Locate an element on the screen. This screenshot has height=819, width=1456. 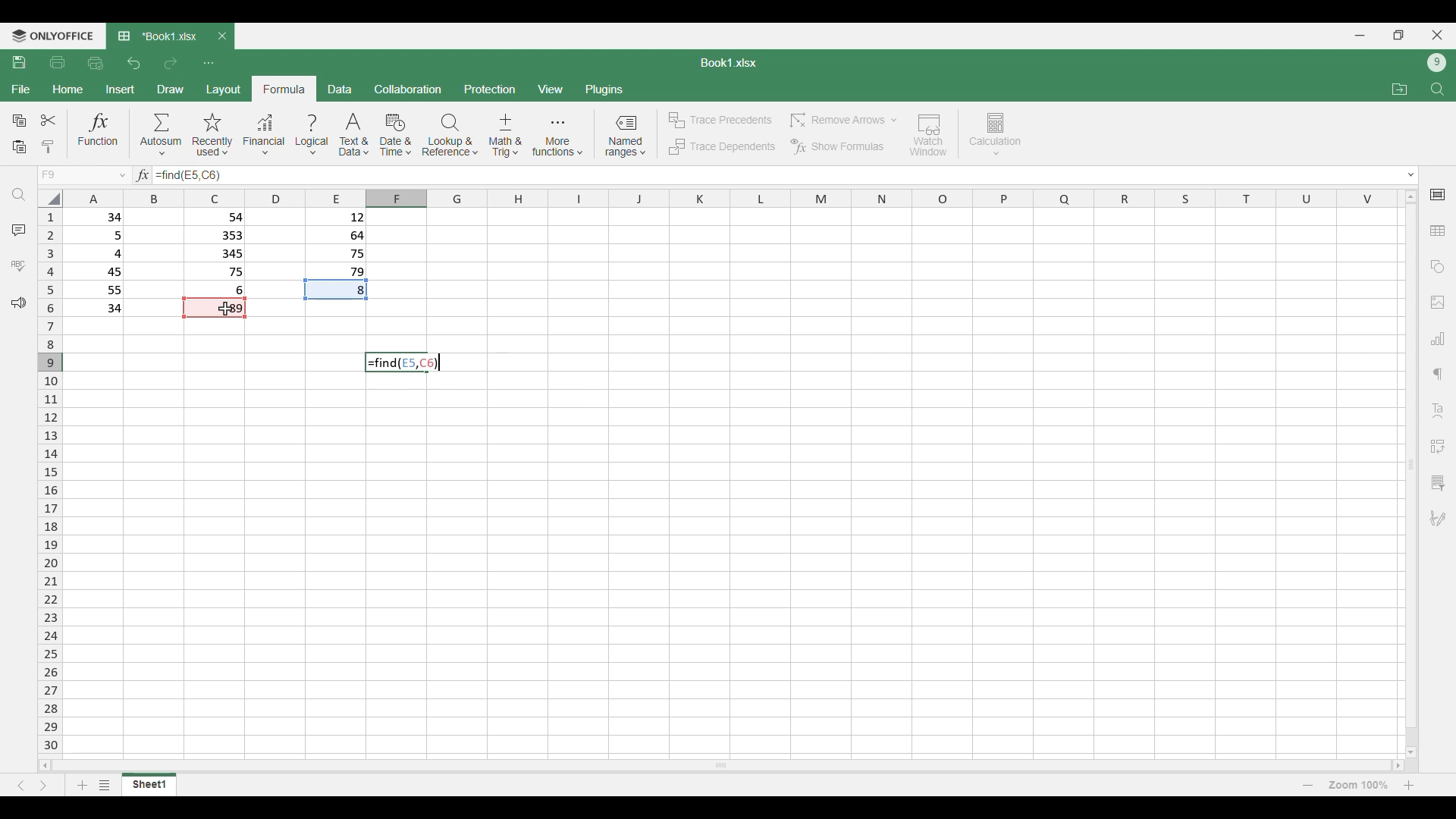
Cut is located at coordinates (49, 120).